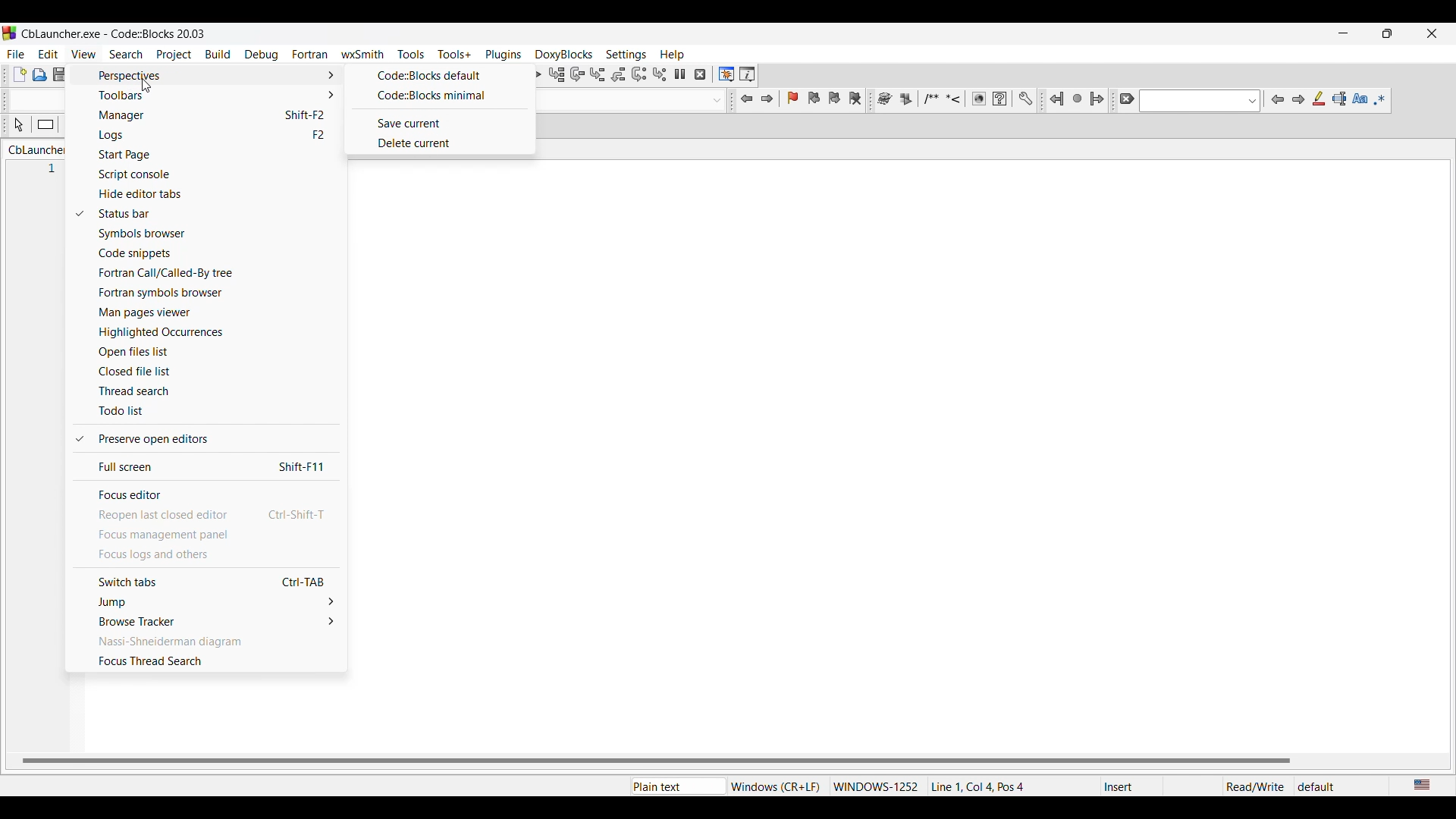 Image resolution: width=1456 pixels, height=819 pixels. Describe the element at coordinates (215, 391) in the screenshot. I see `Thread search` at that location.